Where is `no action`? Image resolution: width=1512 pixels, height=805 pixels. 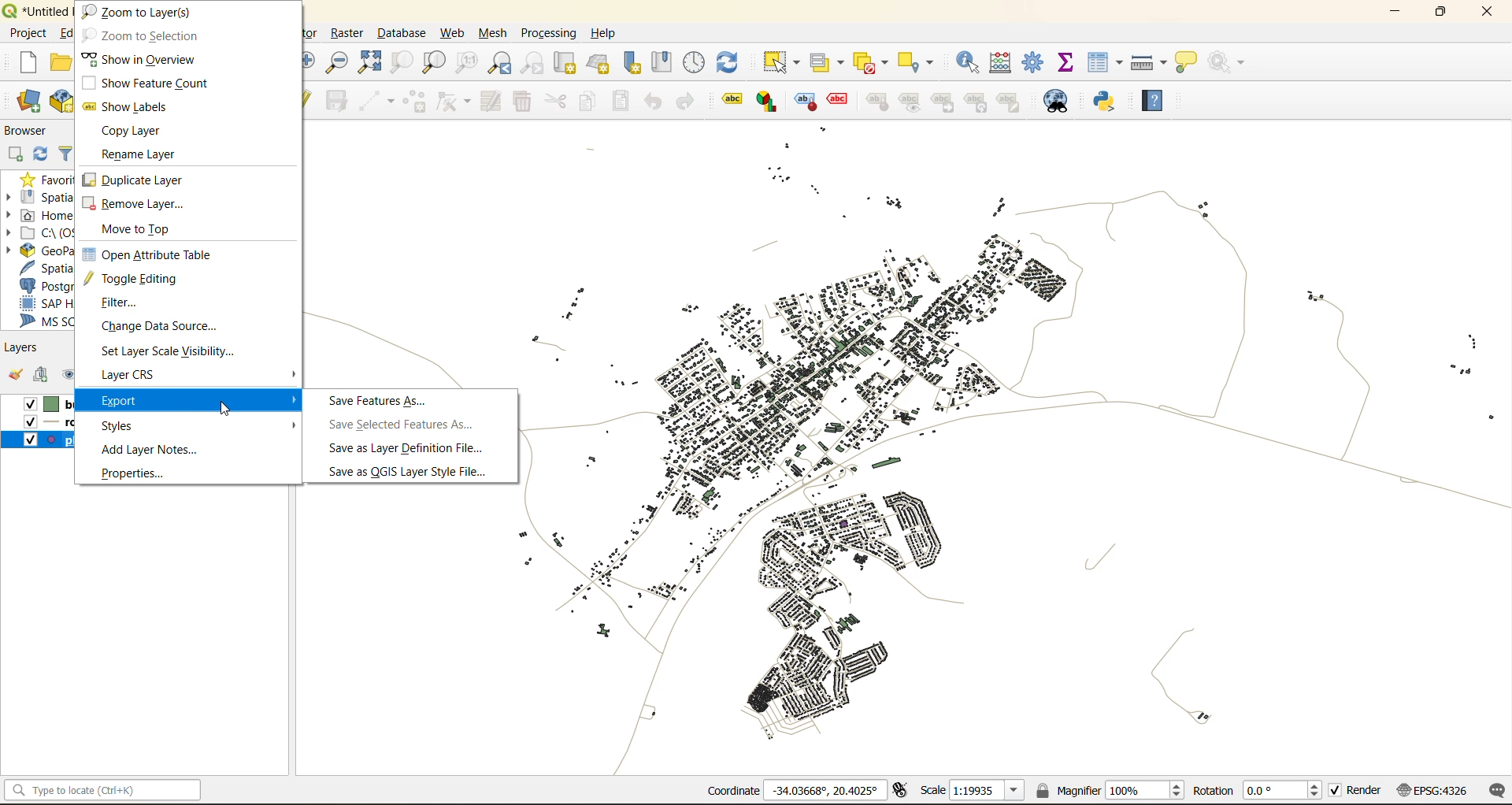 no action is located at coordinates (1233, 63).